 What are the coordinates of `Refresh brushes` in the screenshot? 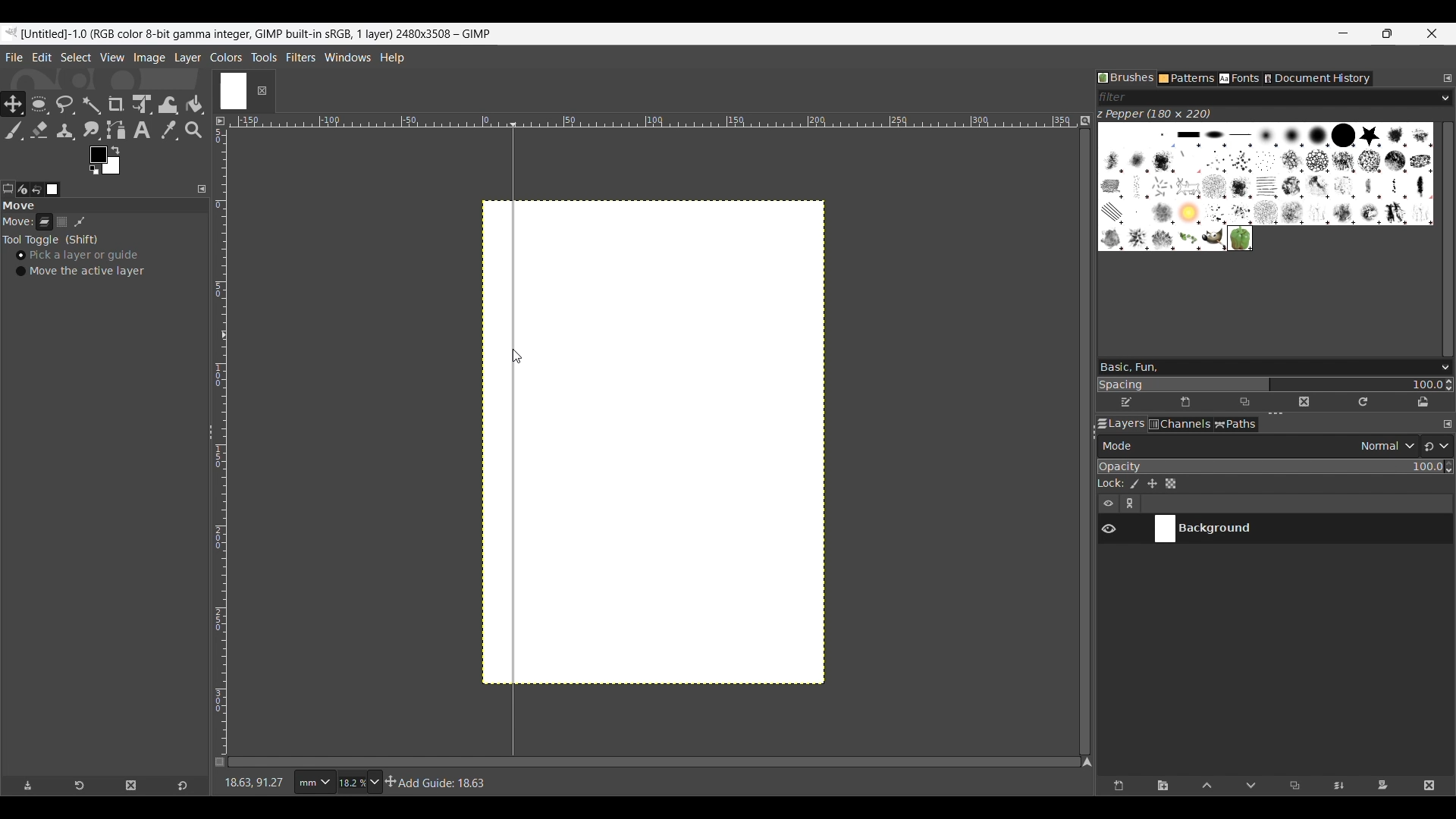 It's located at (1363, 403).